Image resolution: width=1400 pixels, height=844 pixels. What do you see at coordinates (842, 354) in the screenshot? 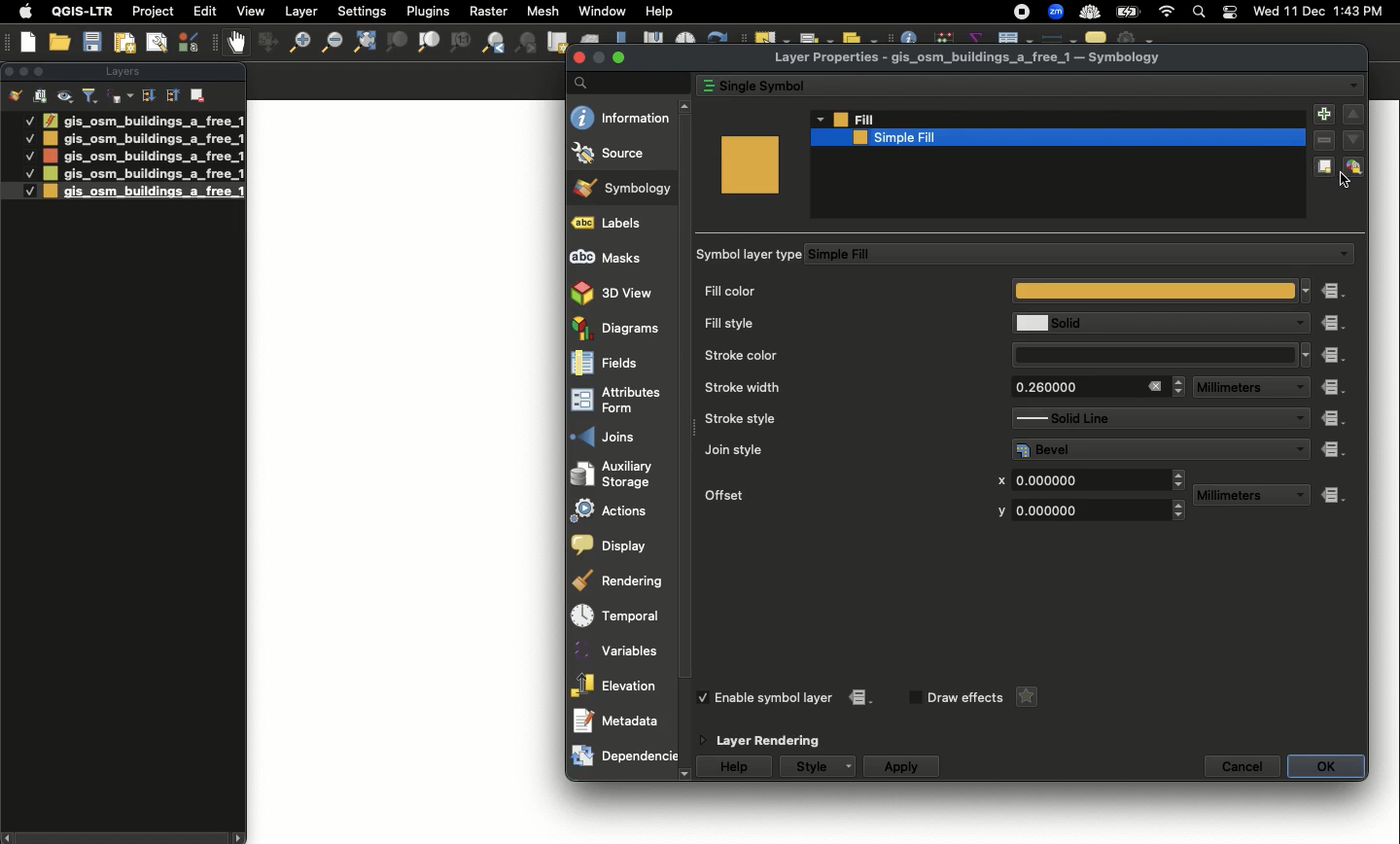
I see `Stroke color` at bounding box center [842, 354].